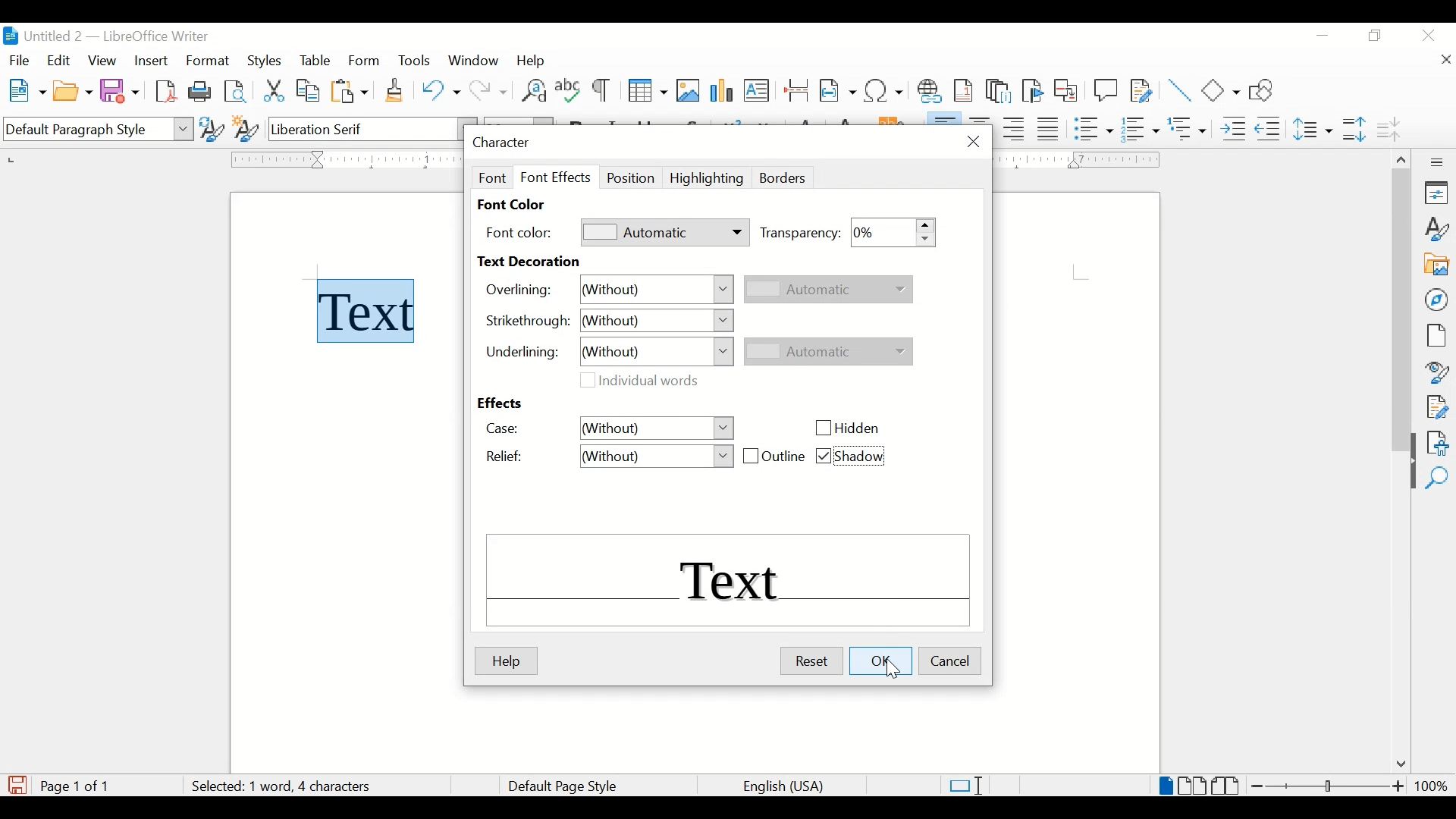 The width and height of the screenshot is (1456, 819). I want to click on text, so click(380, 309).